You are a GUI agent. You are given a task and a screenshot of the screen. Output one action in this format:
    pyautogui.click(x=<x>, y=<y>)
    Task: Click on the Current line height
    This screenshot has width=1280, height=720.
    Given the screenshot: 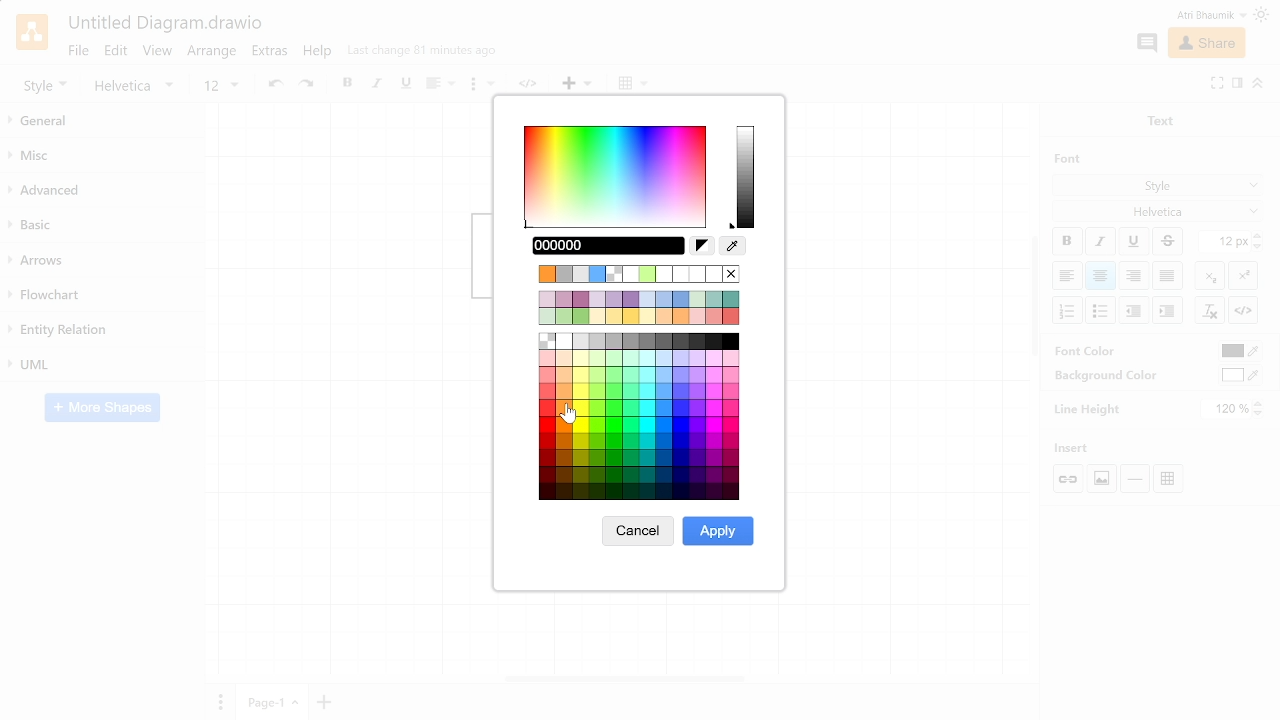 What is the action you would take?
    pyautogui.click(x=1227, y=409)
    